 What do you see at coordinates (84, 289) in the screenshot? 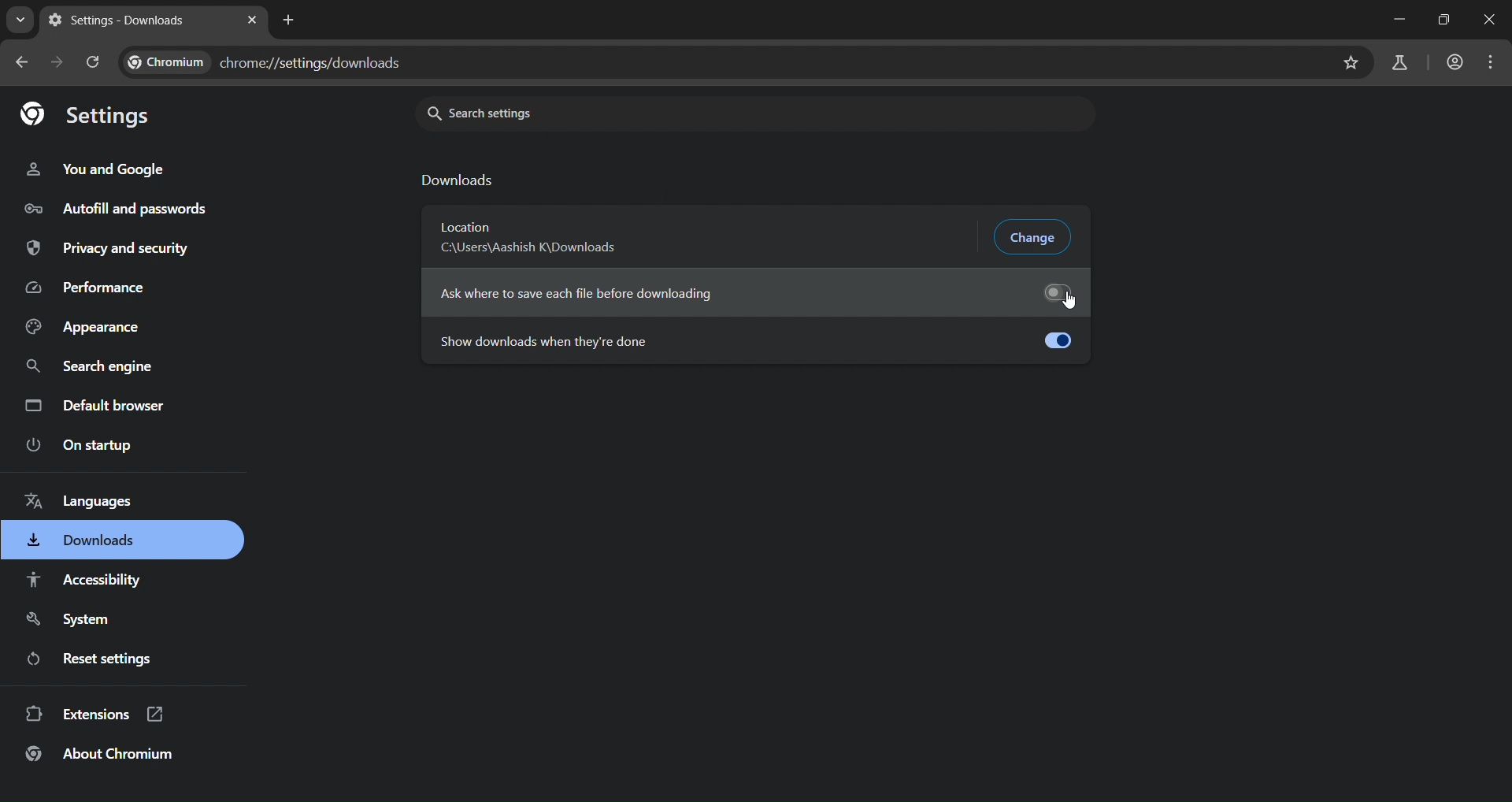
I see `performance` at bounding box center [84, 289].